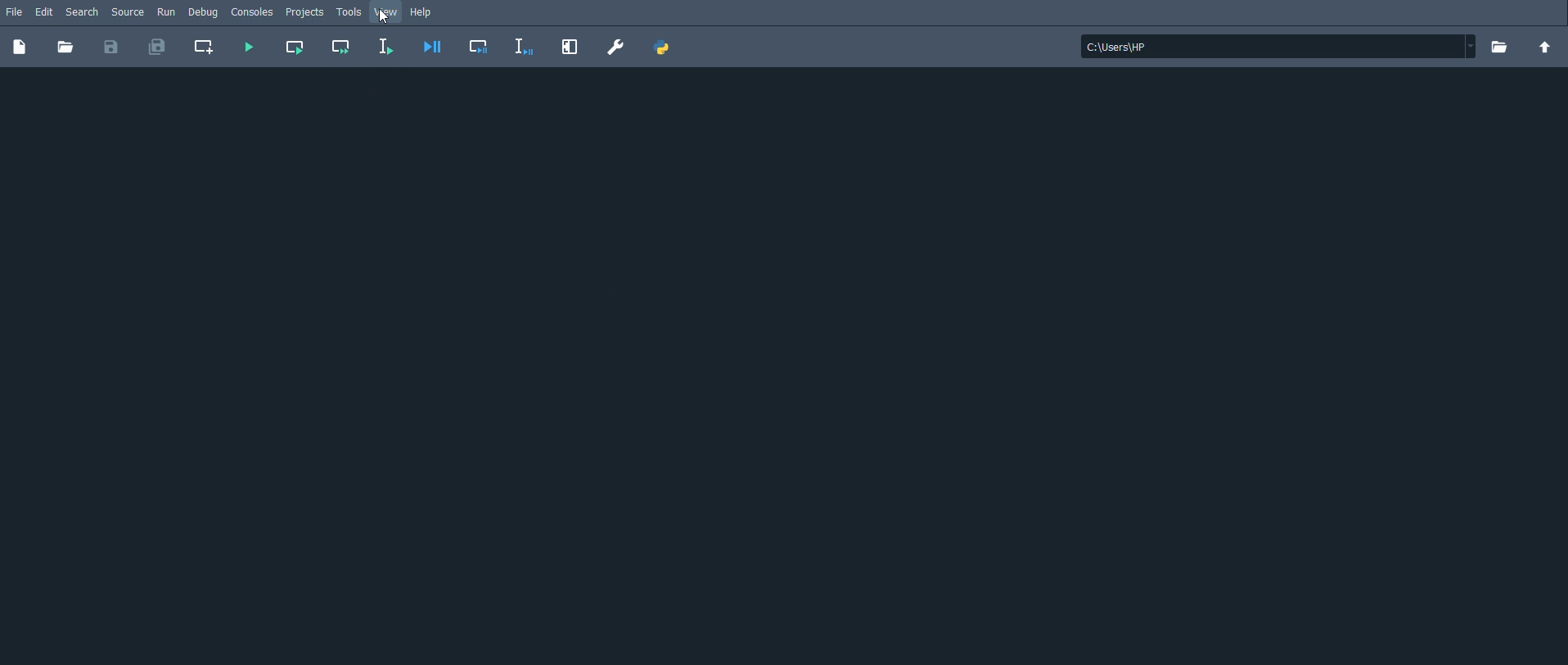 The height and width of the screenshot is (665, 1568). What do you see at coordinates (251, 13) in the screenshot?
I see `Consoles` at bounding box center [251, 13].